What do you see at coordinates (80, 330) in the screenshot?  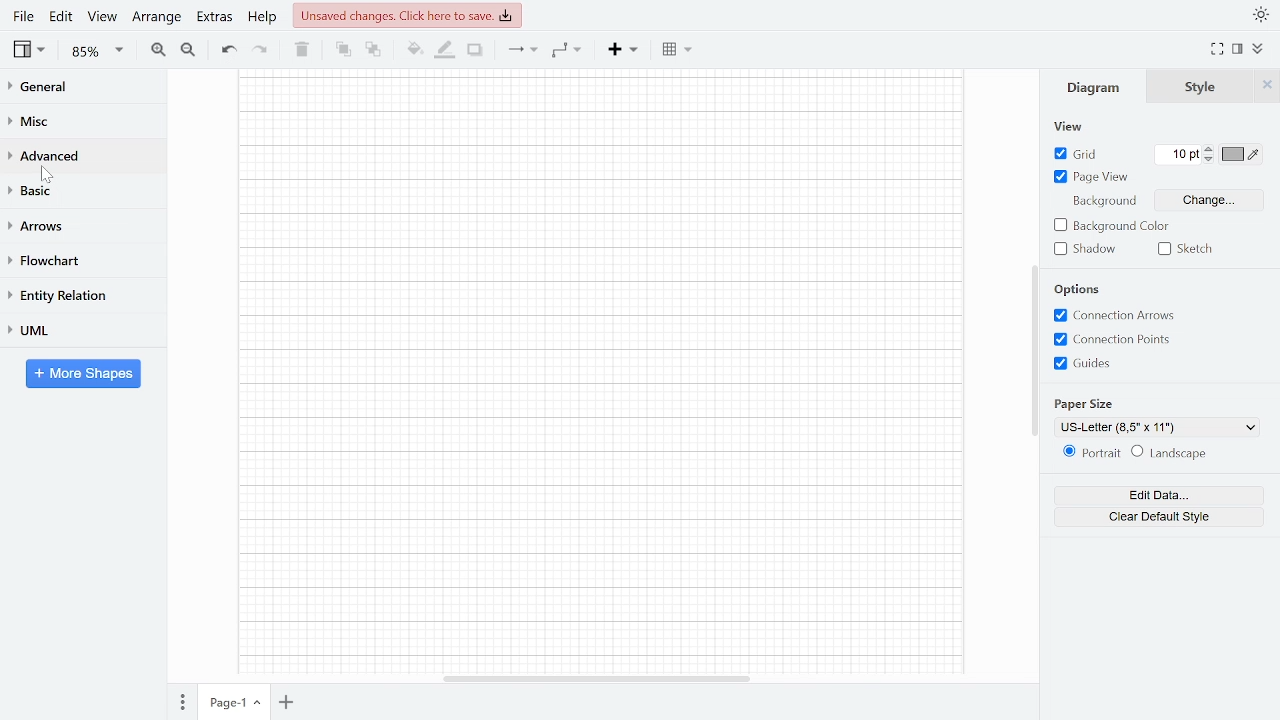 I see `UML` at bounding box center [80, 330].